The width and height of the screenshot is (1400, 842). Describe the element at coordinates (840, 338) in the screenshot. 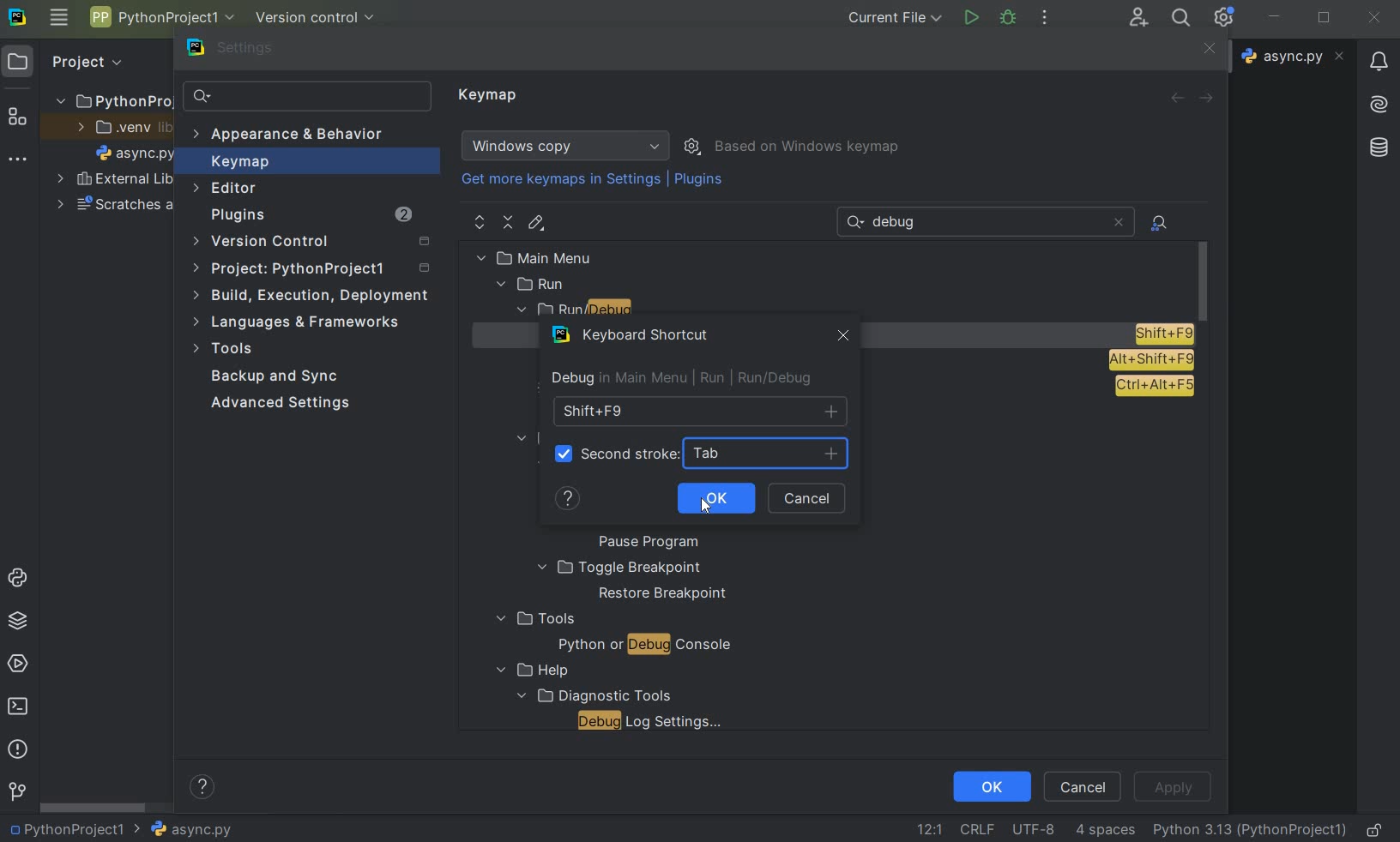

I see `close` at that location.